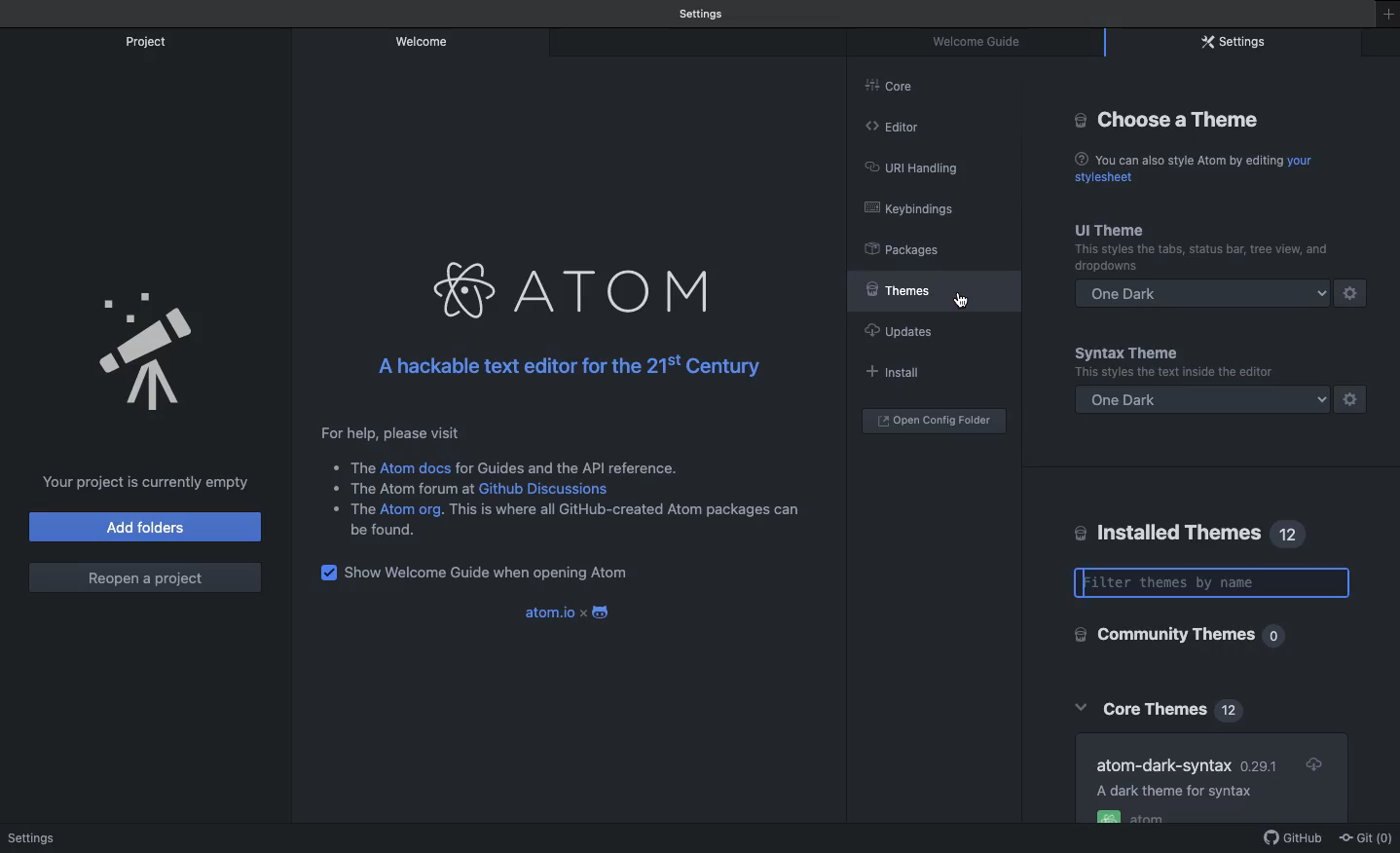 The width and height of the screenshot is (1400, 853). What do you see at coordinates (347, 465) in the screenshot?
I see `© The` at bounding box center [347, 465].